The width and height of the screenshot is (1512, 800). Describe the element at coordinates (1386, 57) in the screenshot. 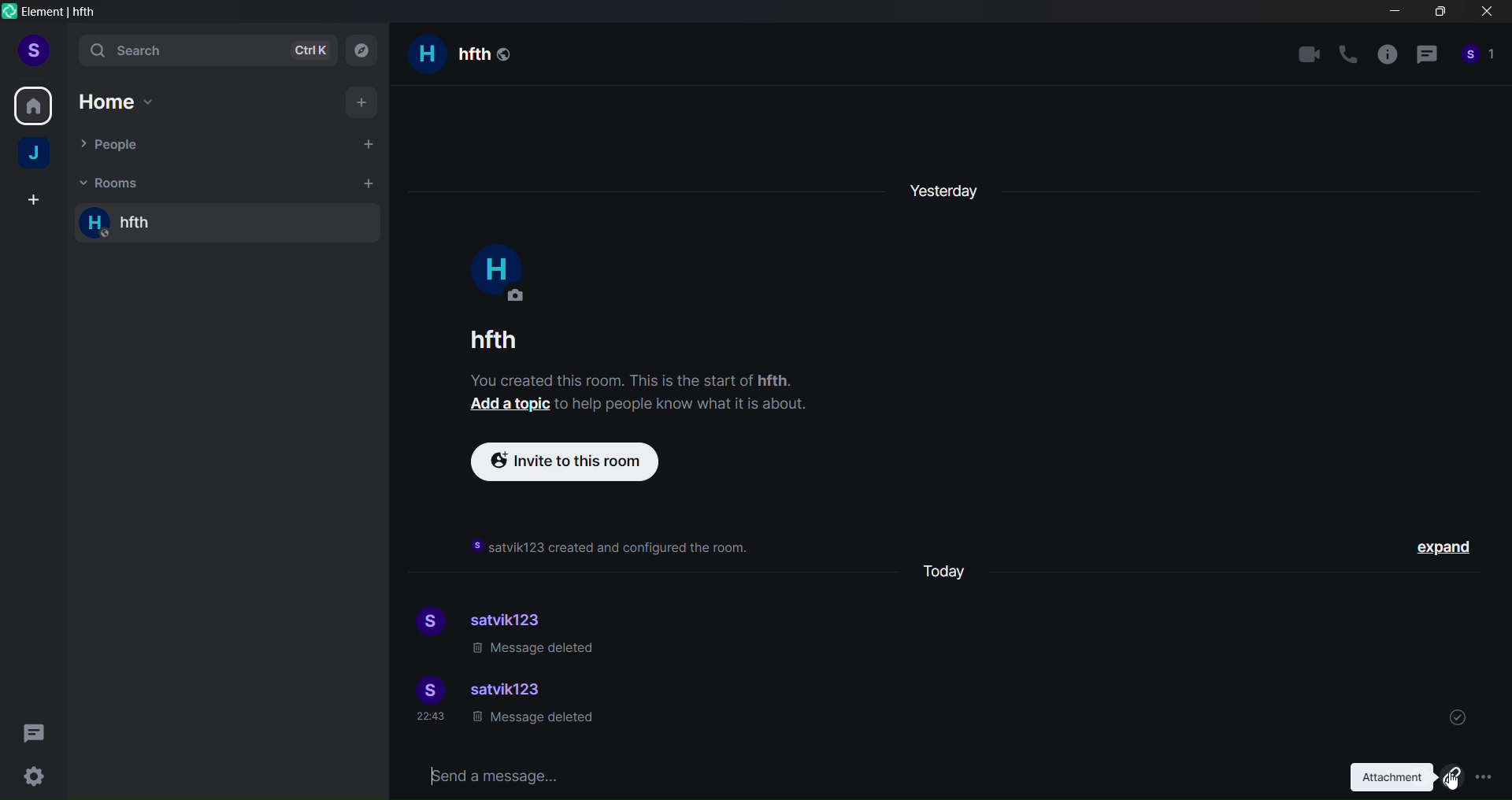

I see `room info` at that location.